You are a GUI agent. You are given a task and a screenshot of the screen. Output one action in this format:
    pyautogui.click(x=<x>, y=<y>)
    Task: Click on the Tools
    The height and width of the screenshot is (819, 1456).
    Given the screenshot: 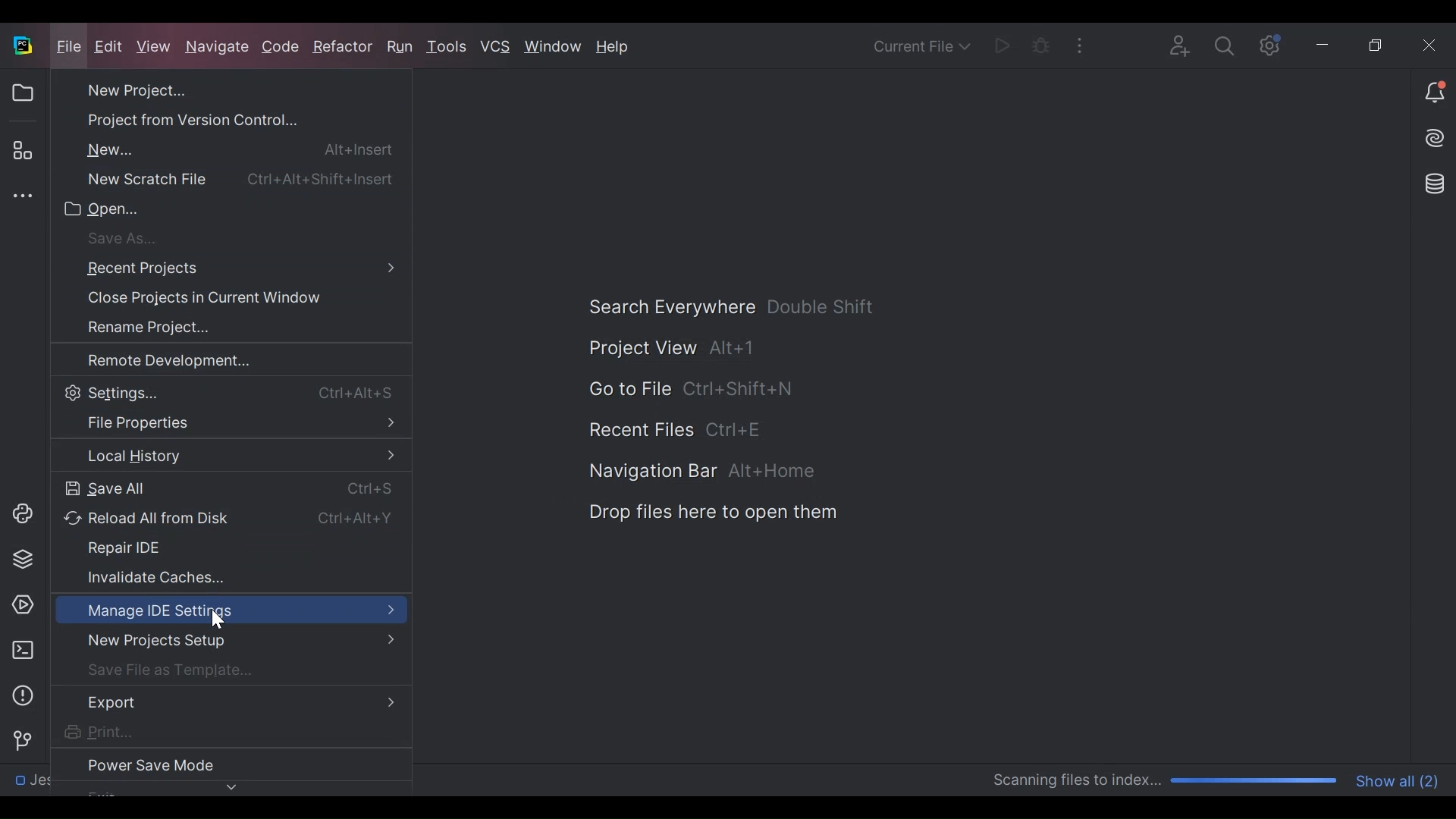 What is the action you would take?
    pyautogui.click(x=450, y=48)
    